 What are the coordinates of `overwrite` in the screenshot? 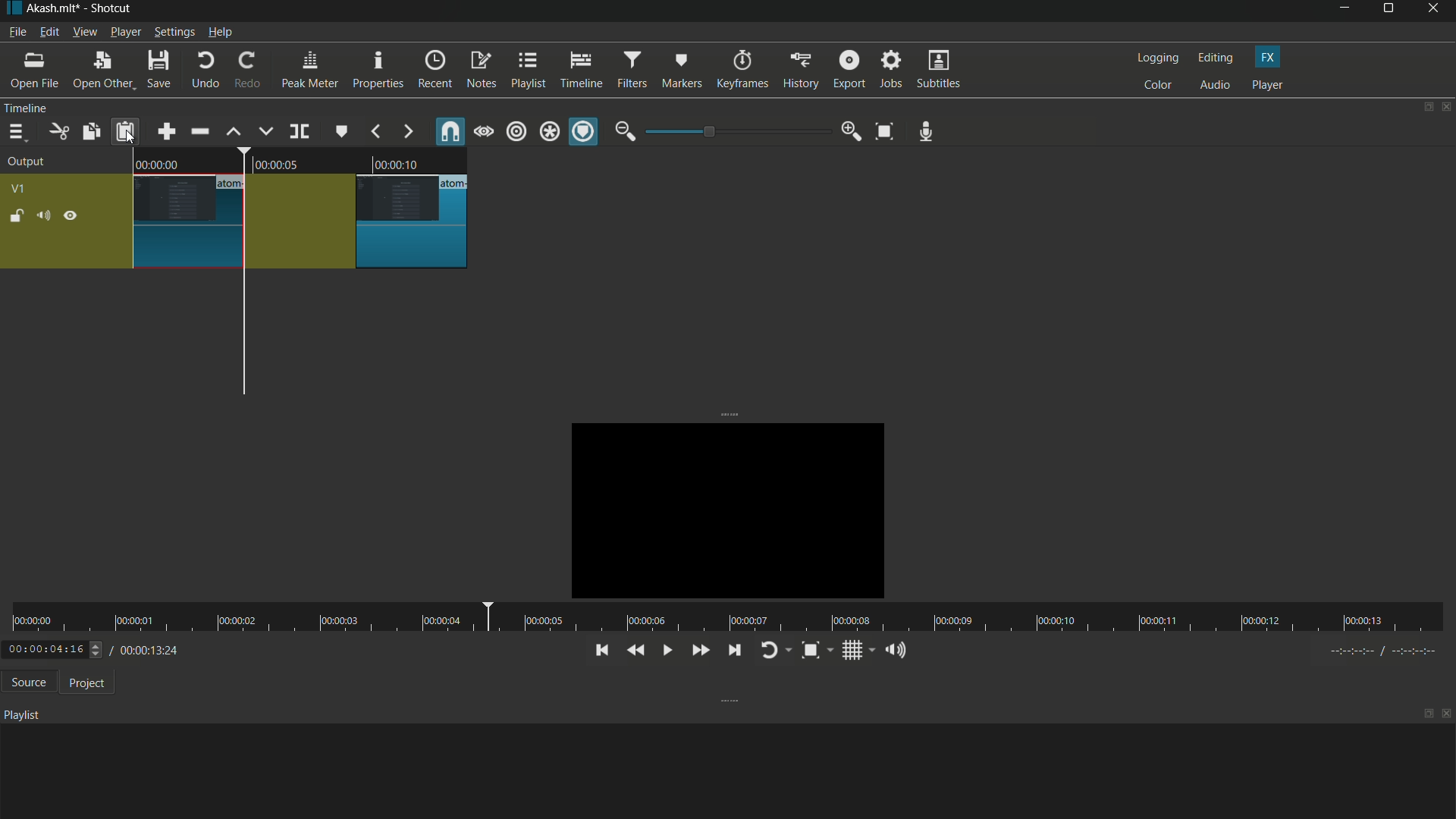 It's located at (266, 130).